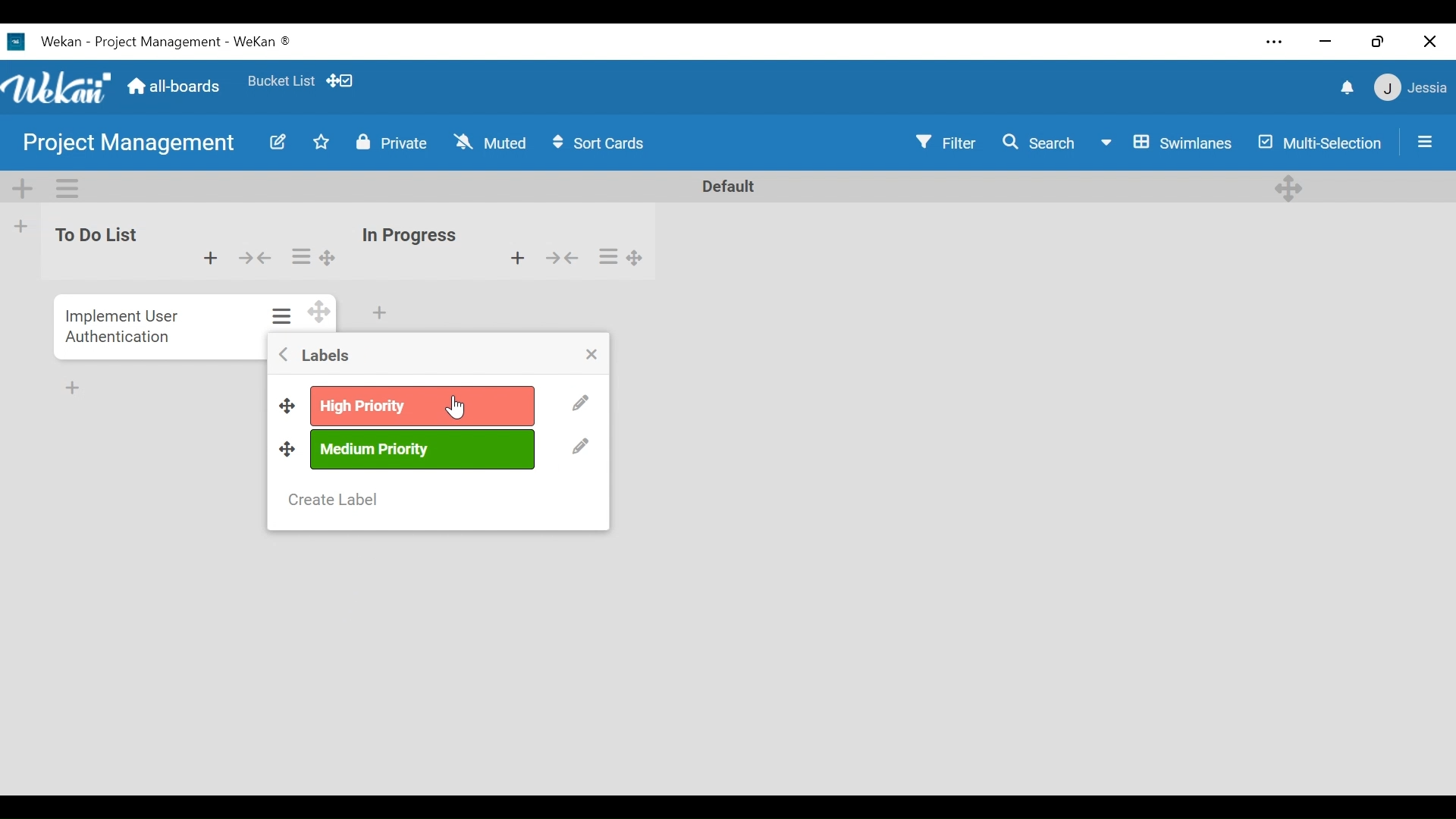  Describe the element at coordinates (286, 407) in the screenshot. I see `drag handles` at that location.